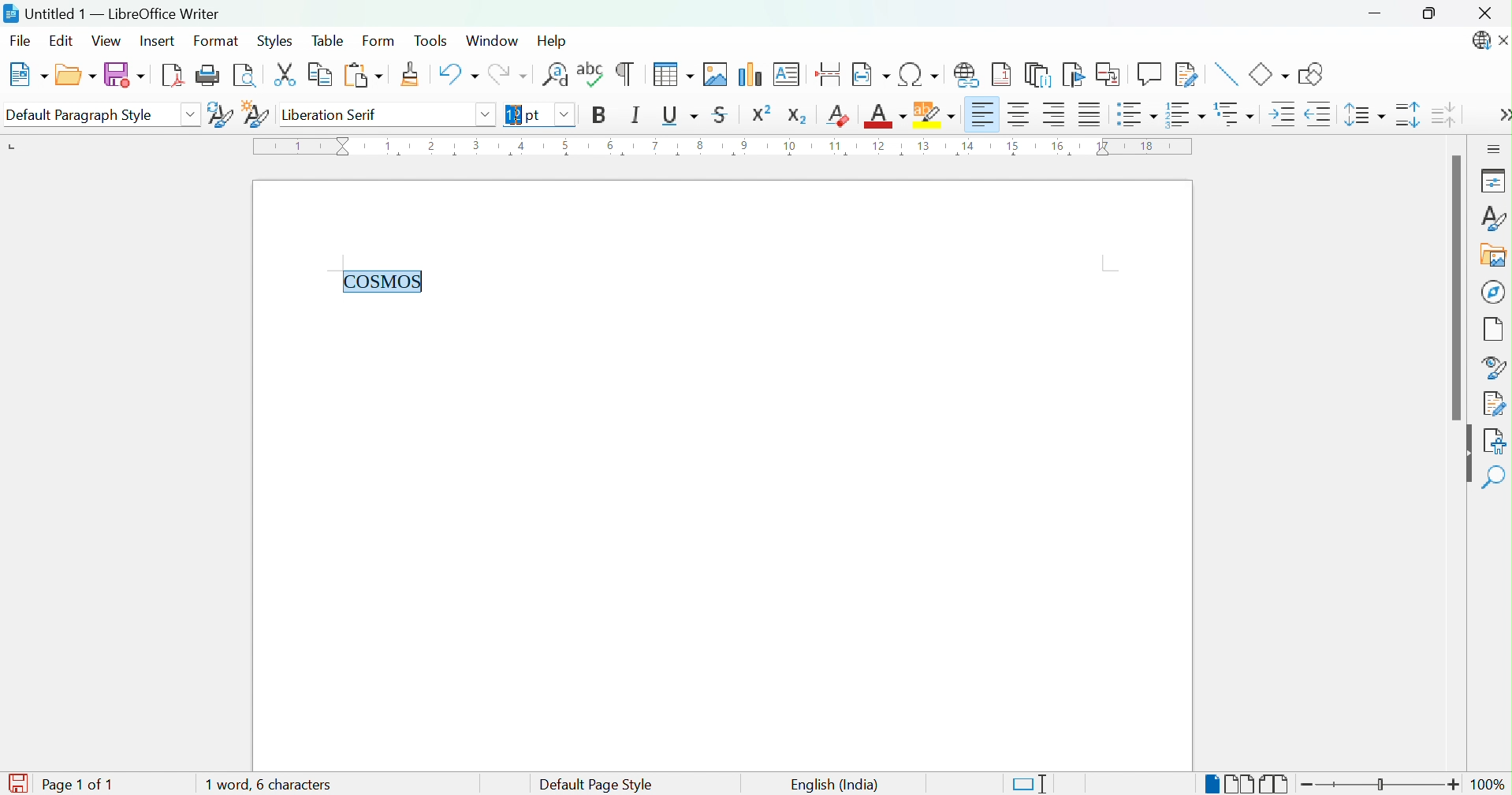 Image resolution: width=1512 pixels, height=795 pixels. Describe the element at coordinates (293, 785) in the screenshot. I see `1 word, 6 characters` at that location.